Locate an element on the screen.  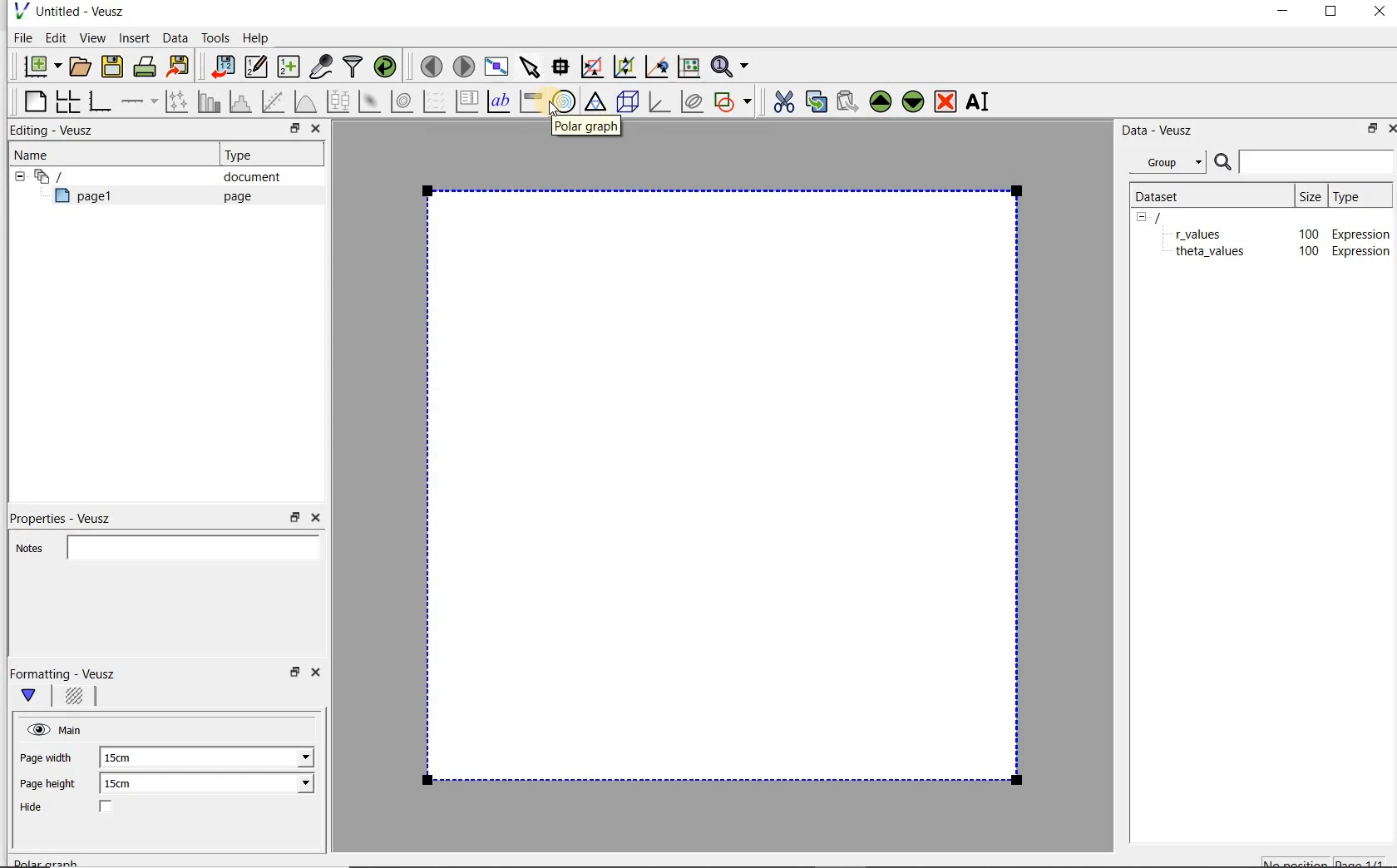
plot a vector field is located at coordinates (435, 100).